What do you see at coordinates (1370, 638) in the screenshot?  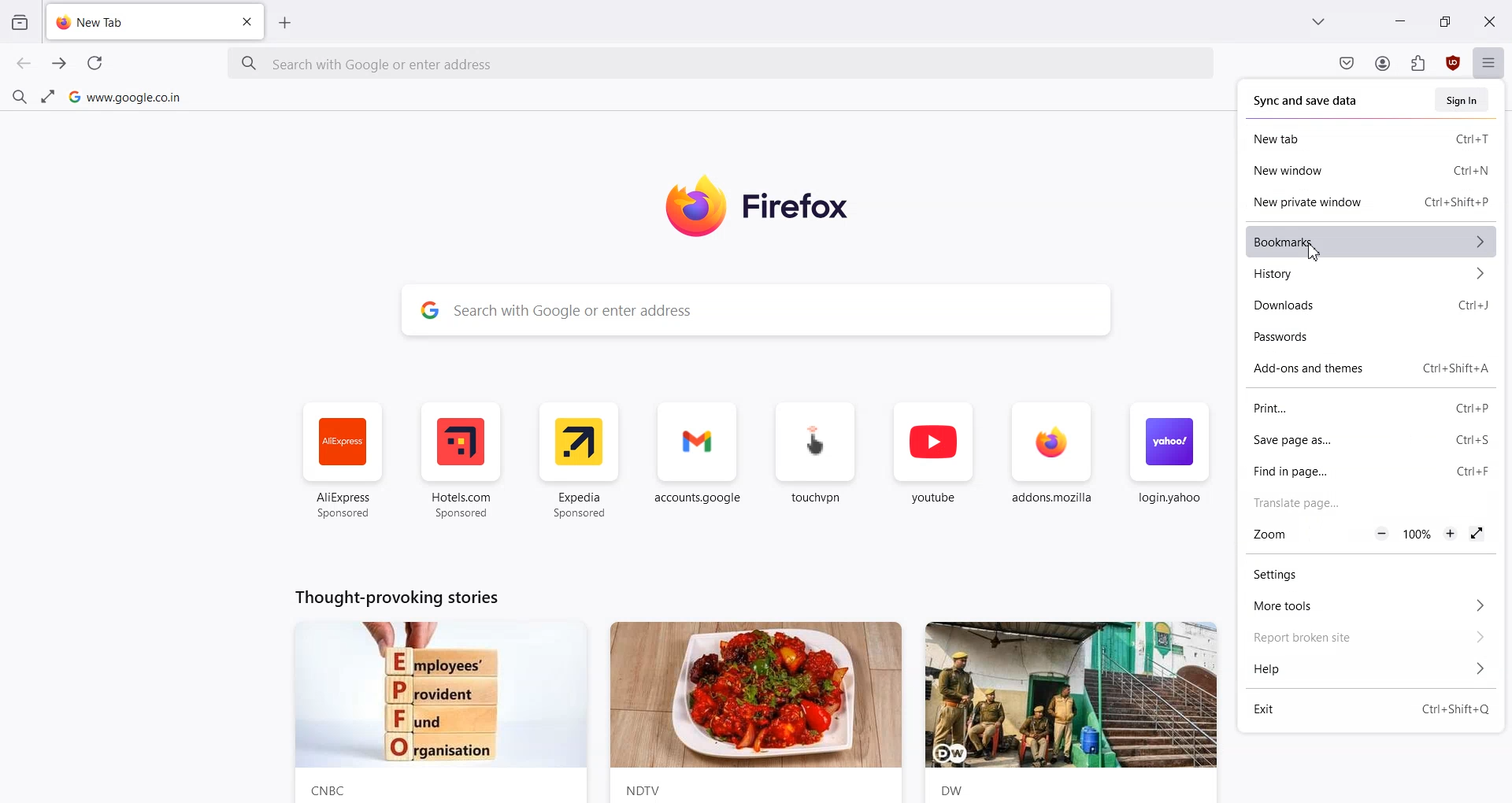 I see `Report broken site` at bounding box center [1370, 638].